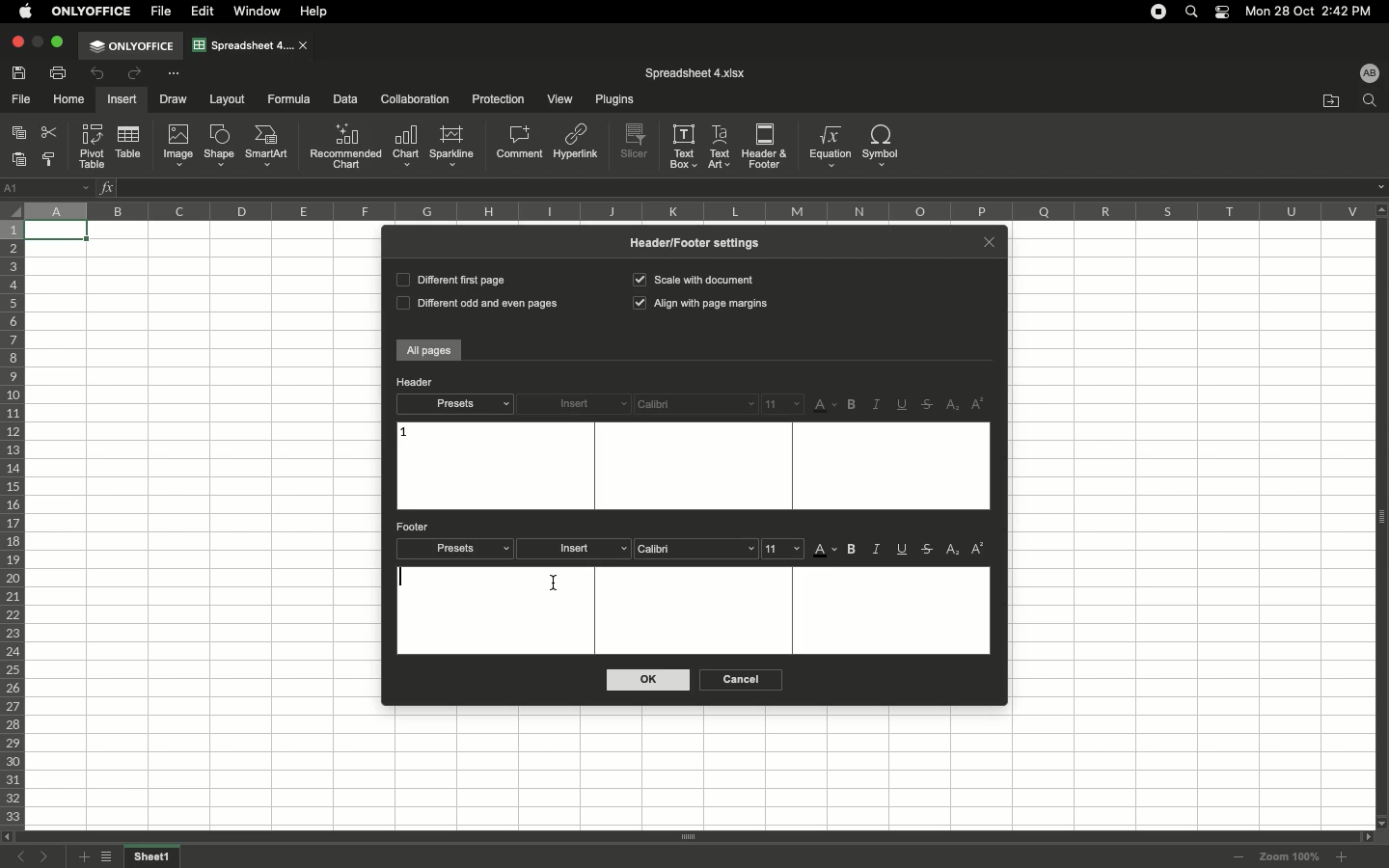 Image resolution: width=1389 pixels, height=868 pixels. What do you see at coordinates (9, 837) in the screenshot?
I see `scroll left` at bounding box center [9, 837].